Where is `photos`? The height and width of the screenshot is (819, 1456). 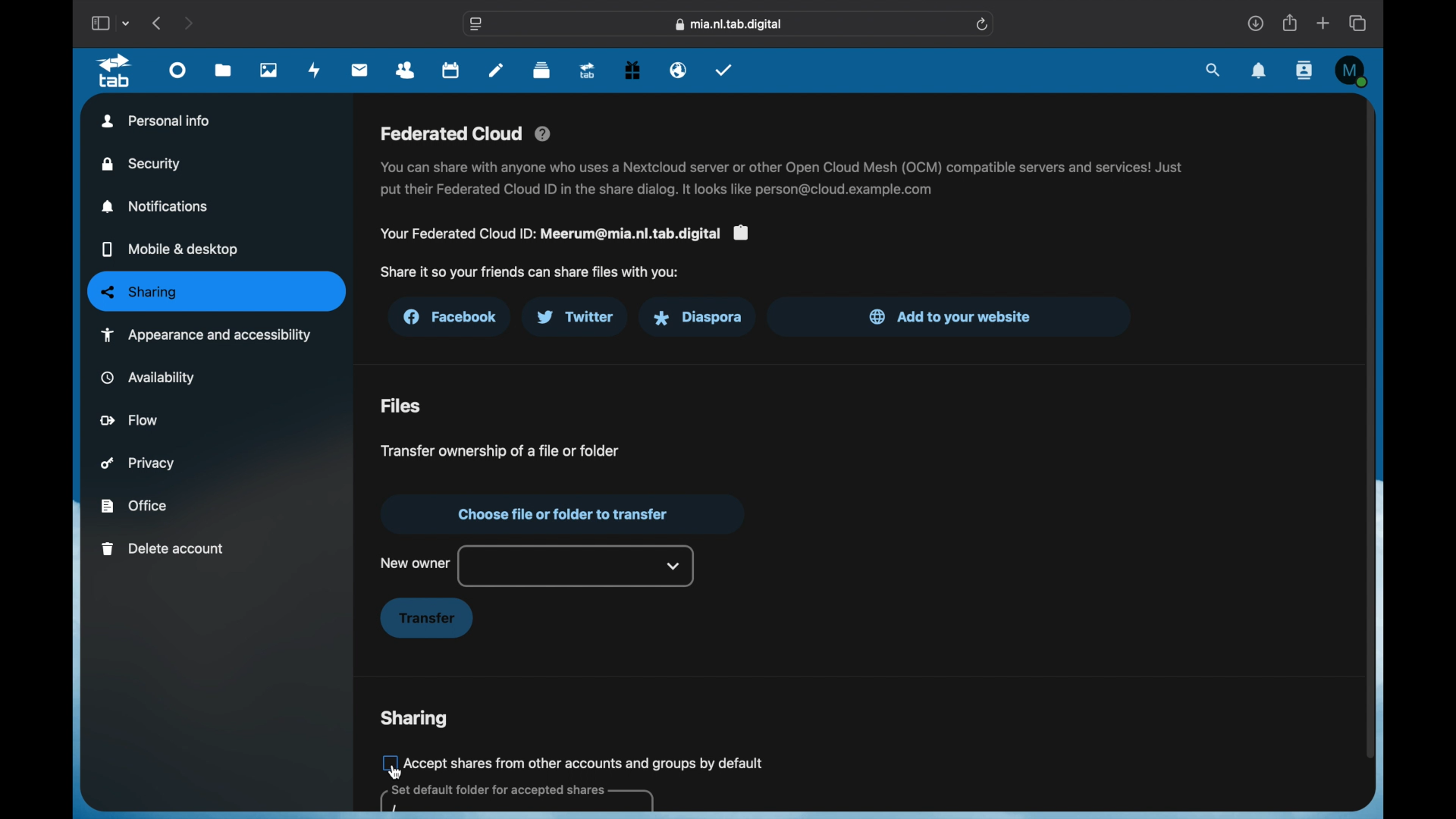 photos is located at coordinates (269, 71).